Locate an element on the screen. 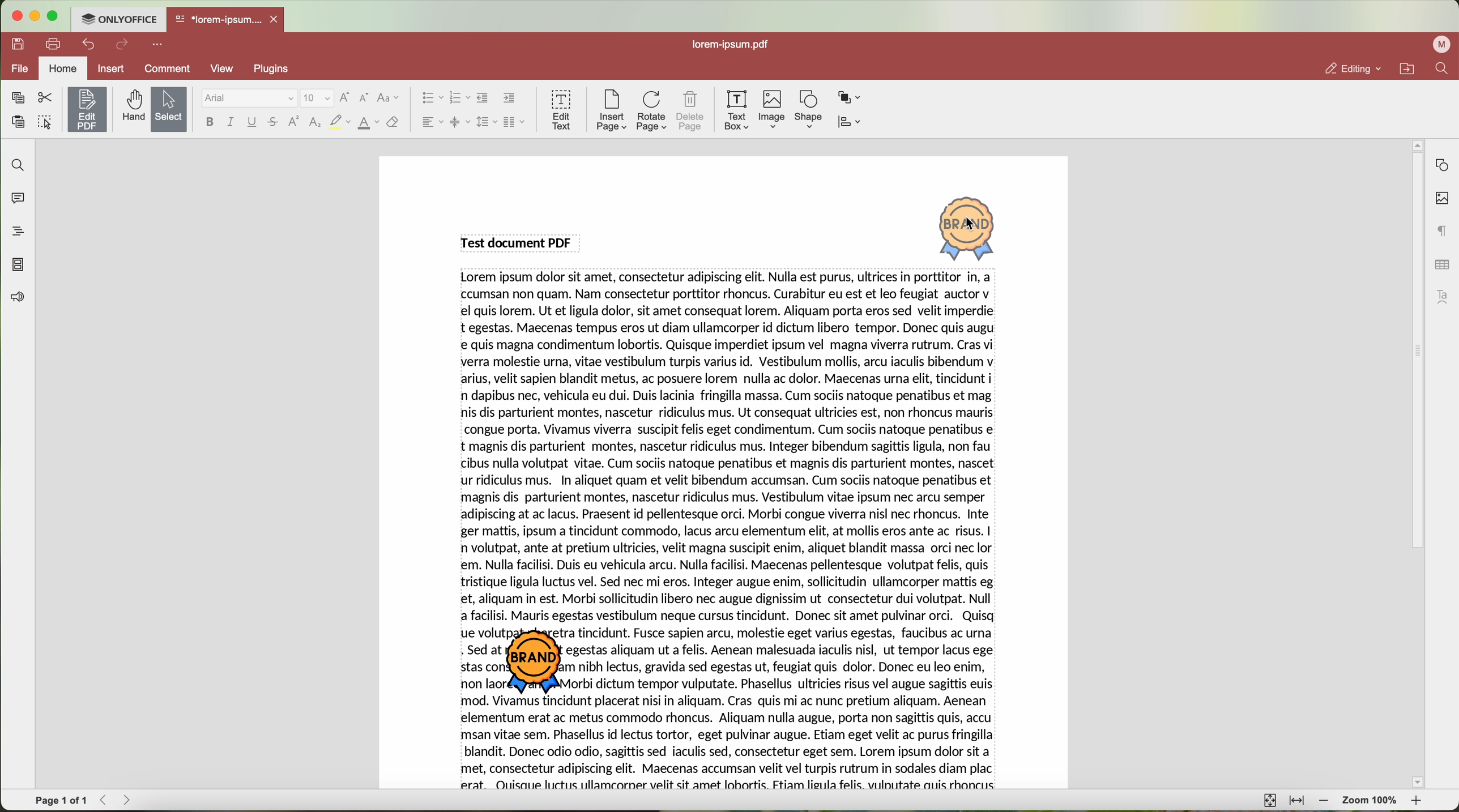  zoom in is located at coordinates (1418, 803).